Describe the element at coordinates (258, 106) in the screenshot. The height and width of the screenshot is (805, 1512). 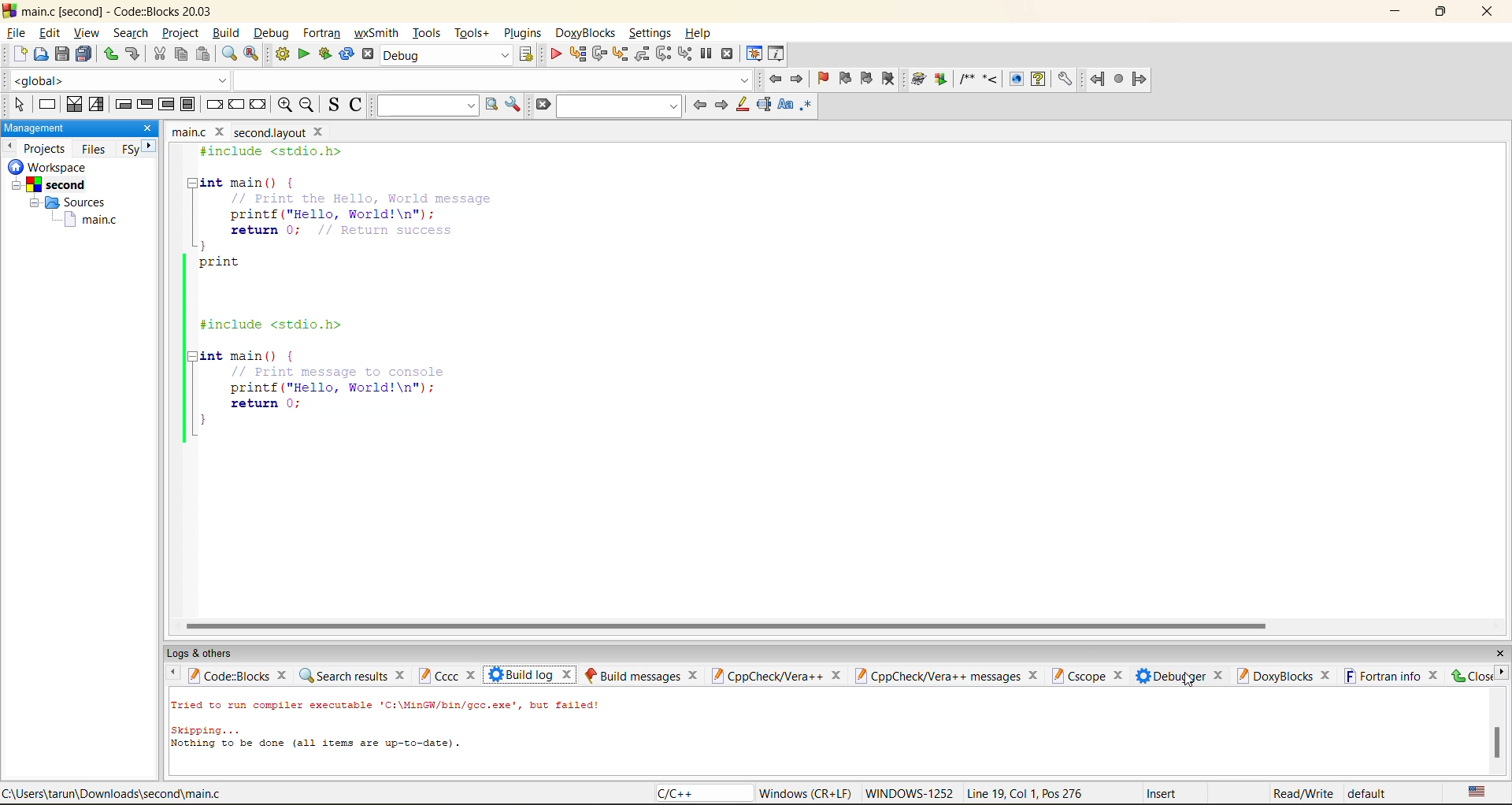
I see `return instruction` at that location.